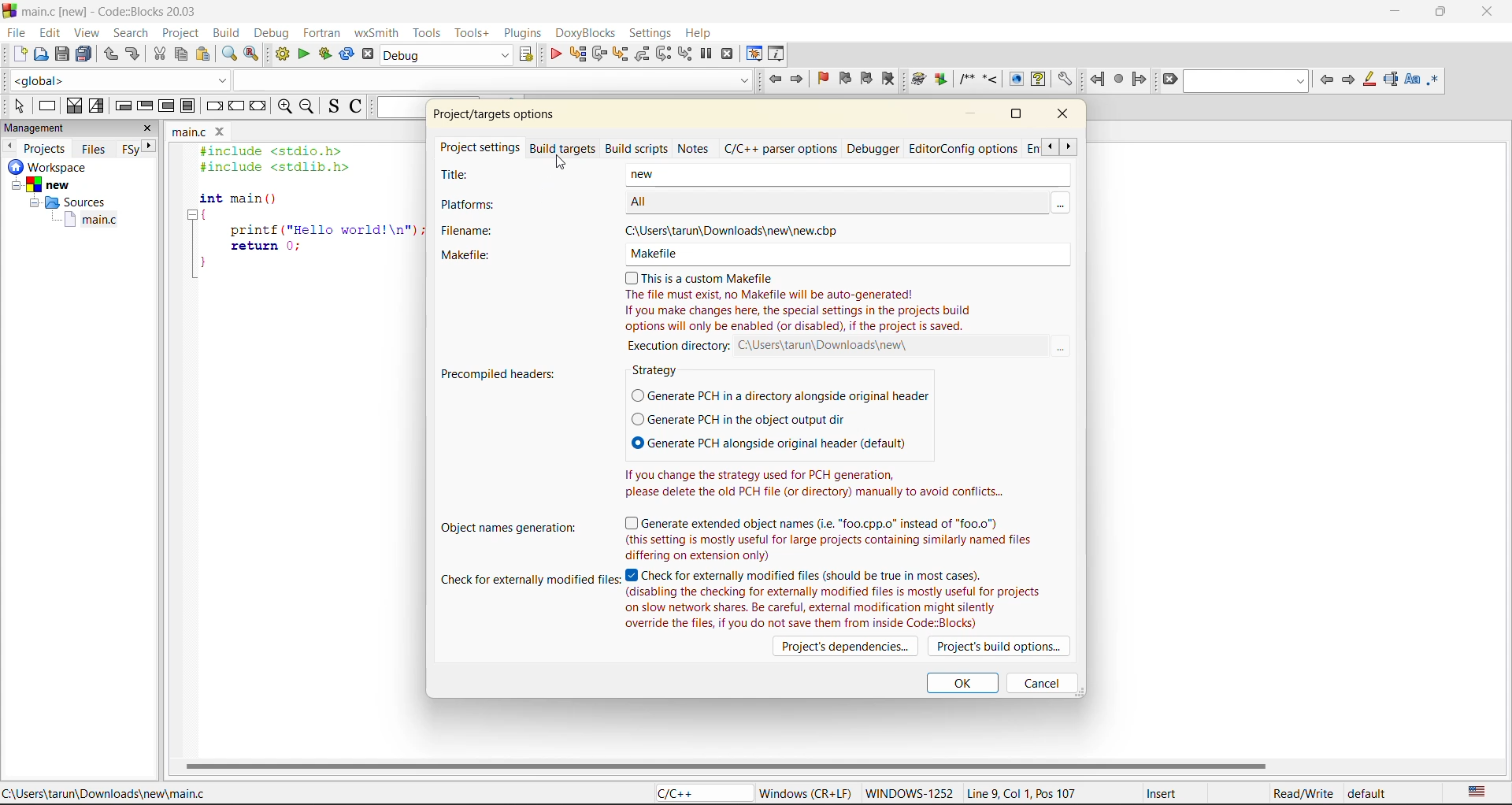 The image size is (1512, 805). What do you see at coordinates (311, 107) in the screenshot?
I see `zoom out` at bounding box center [311, 107].